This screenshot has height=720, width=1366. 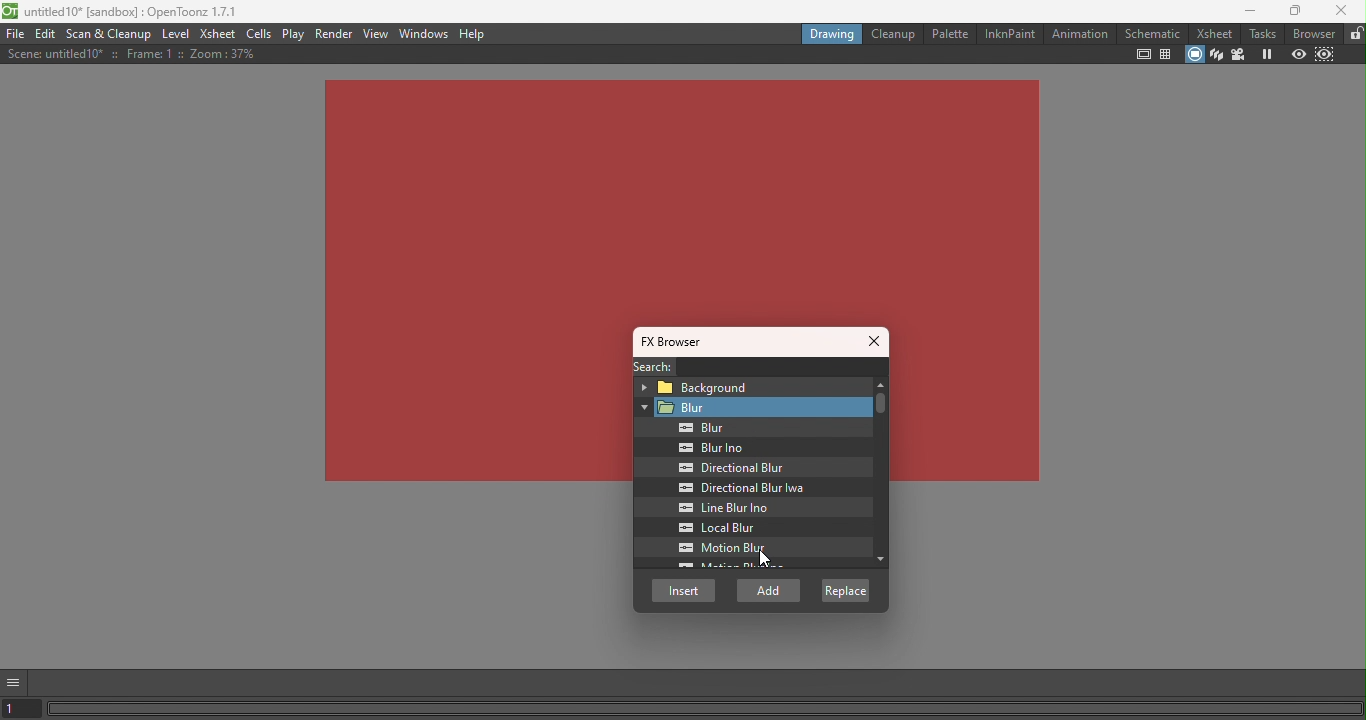 What do you see at coordinates (111, 33) in the screenshot?
I see `Scan & Cleanup` at bounding box center [111, 33].